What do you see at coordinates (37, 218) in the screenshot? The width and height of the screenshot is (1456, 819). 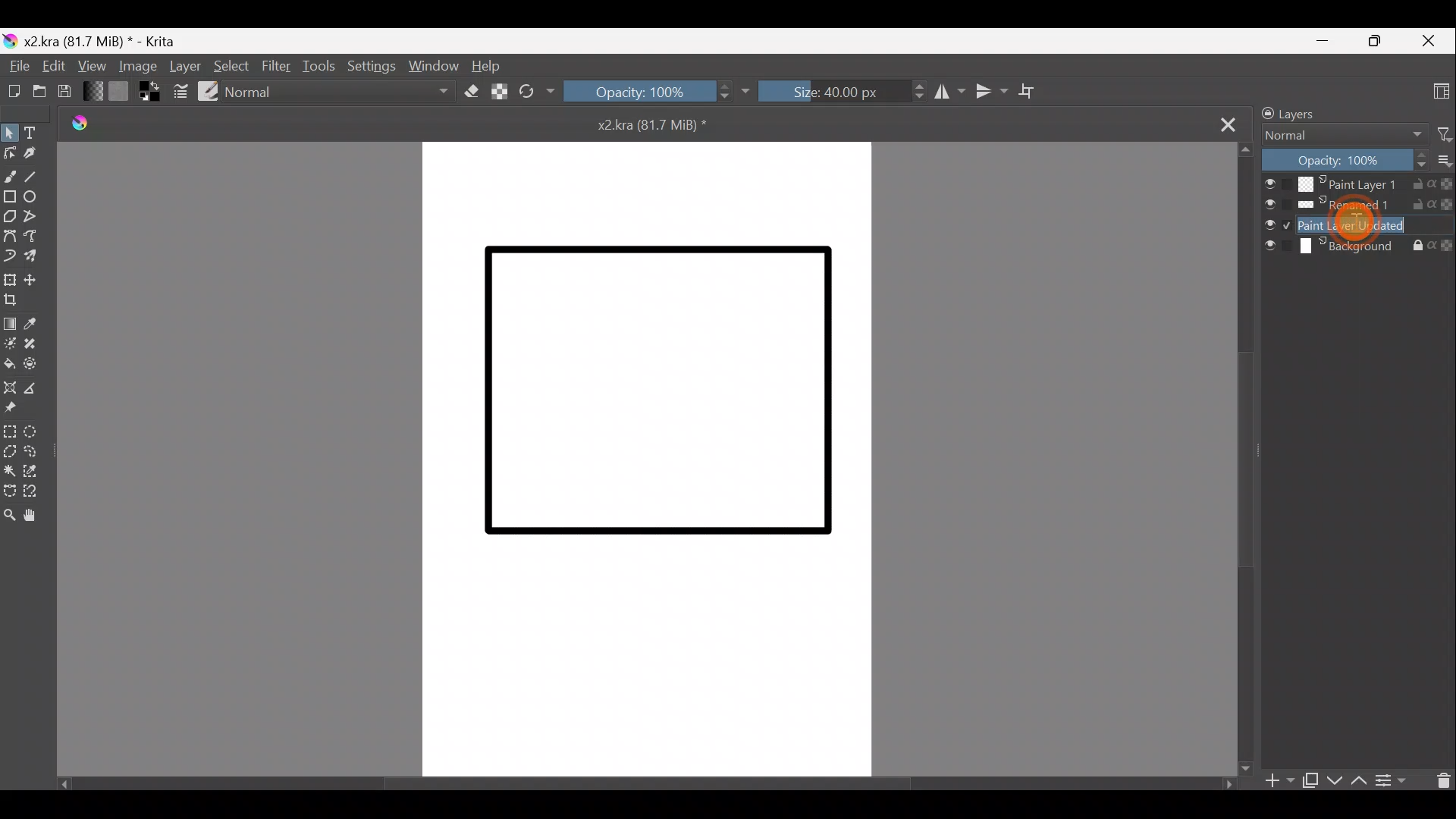 I see `Polyline tool` at bounding box center [37, 218].